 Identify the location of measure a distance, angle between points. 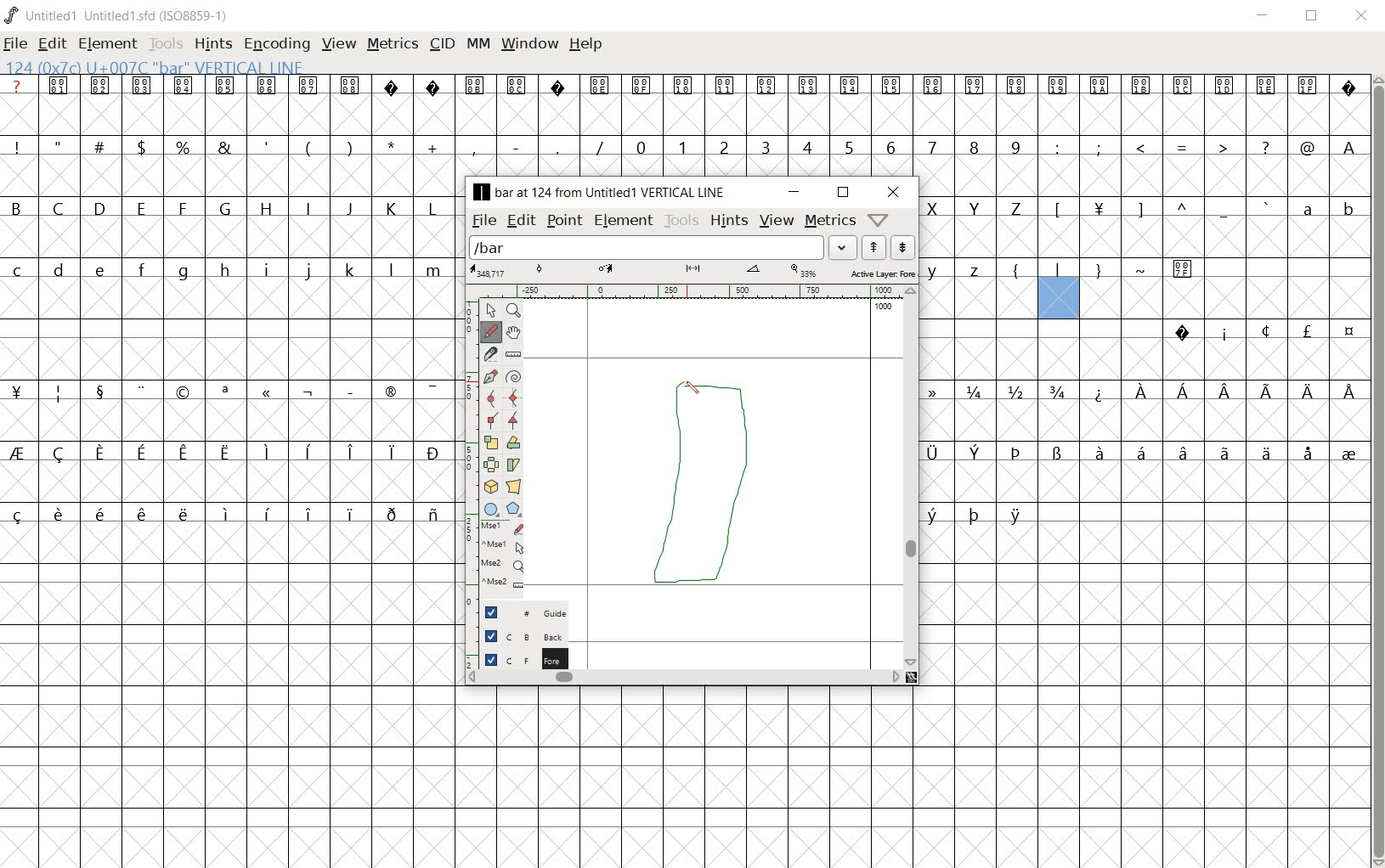
(514, 355).